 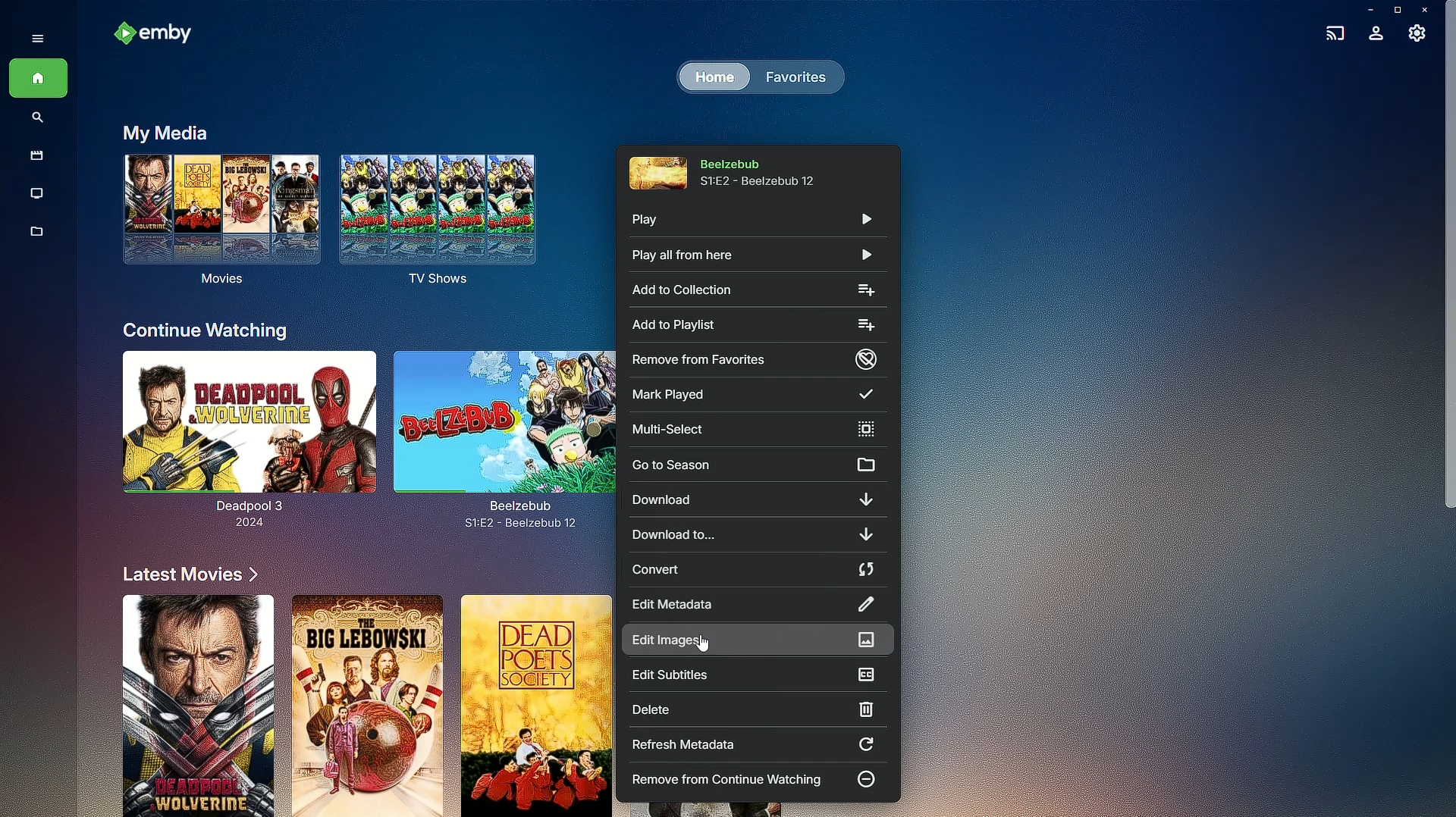 I want to click on emby, so click(x=159, y=35).